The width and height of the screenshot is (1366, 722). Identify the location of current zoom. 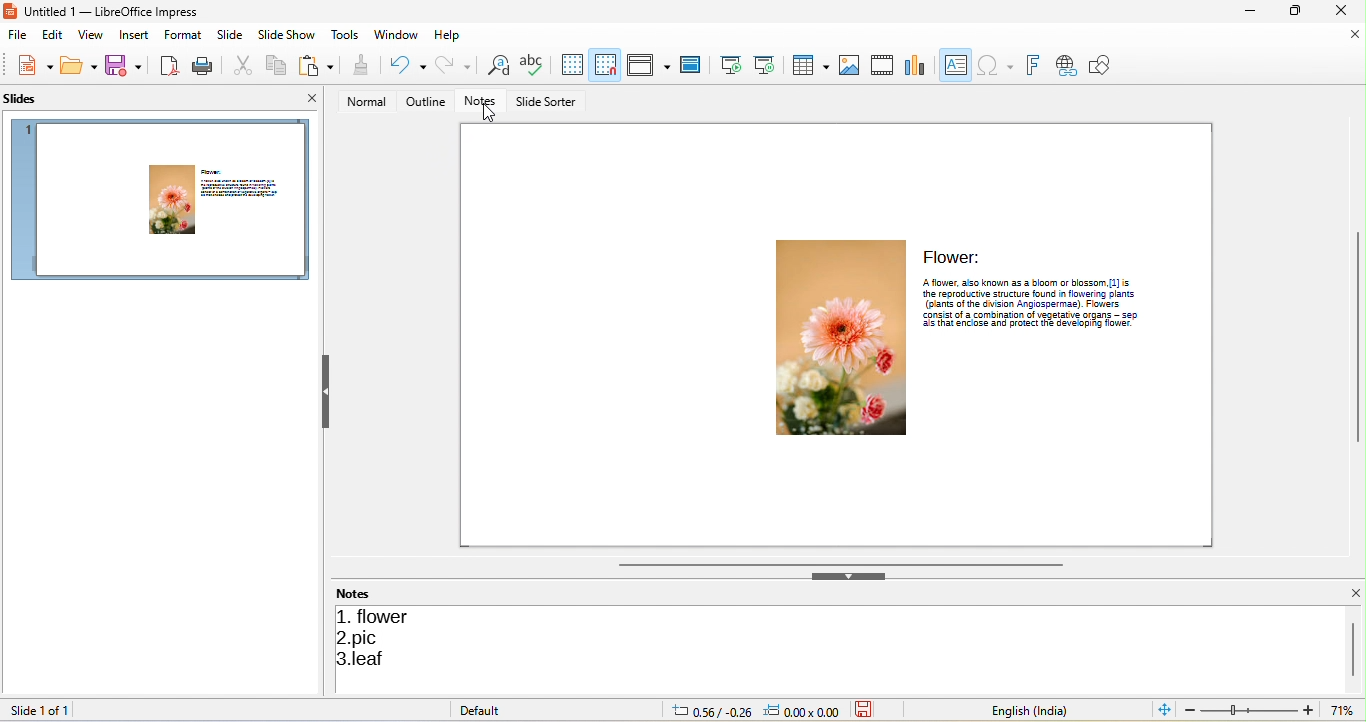
(1347, 710).